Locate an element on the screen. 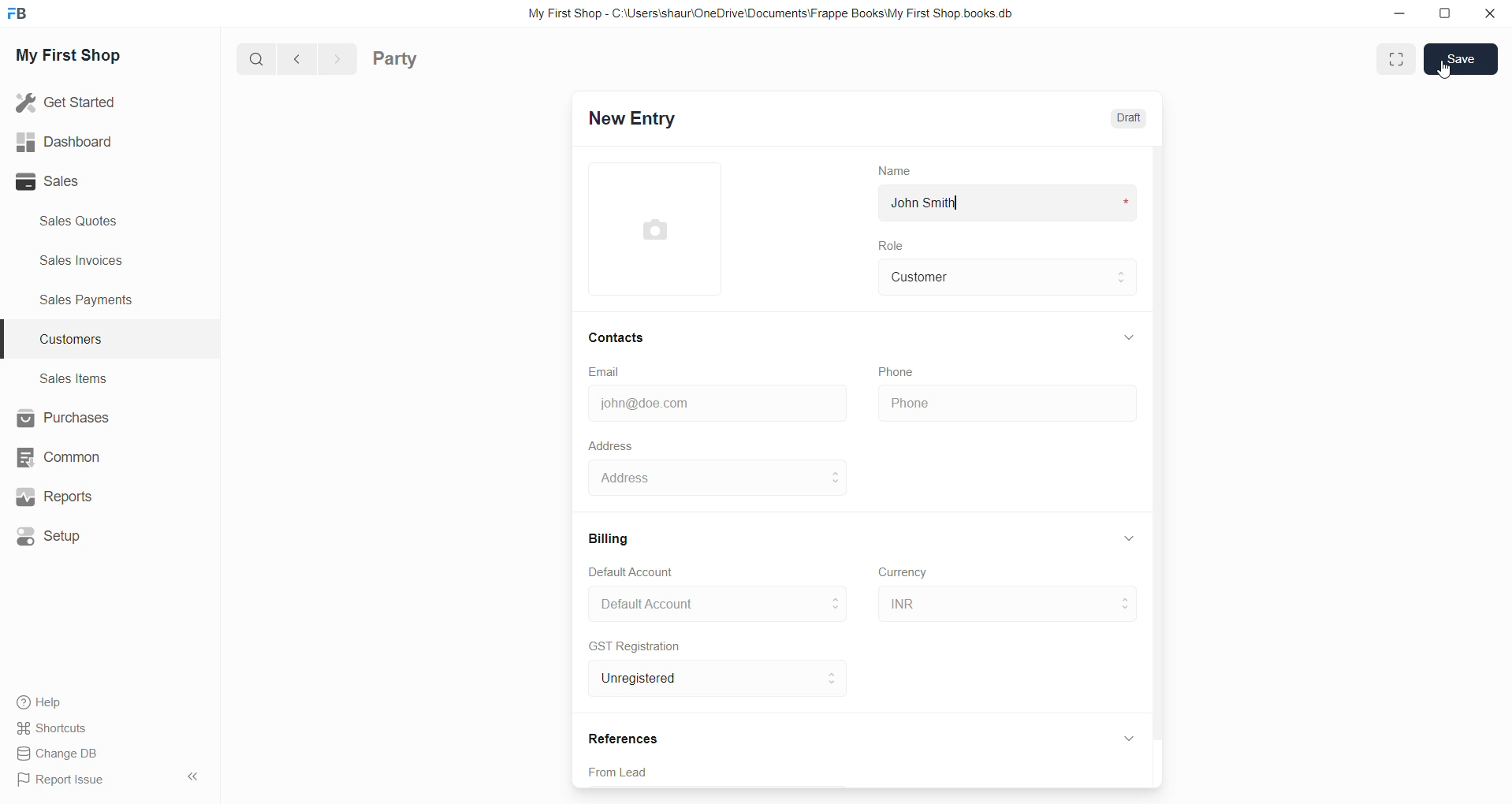 The width and height of the screenshot is (1512, 804). References is located at coordinates (627, 736).